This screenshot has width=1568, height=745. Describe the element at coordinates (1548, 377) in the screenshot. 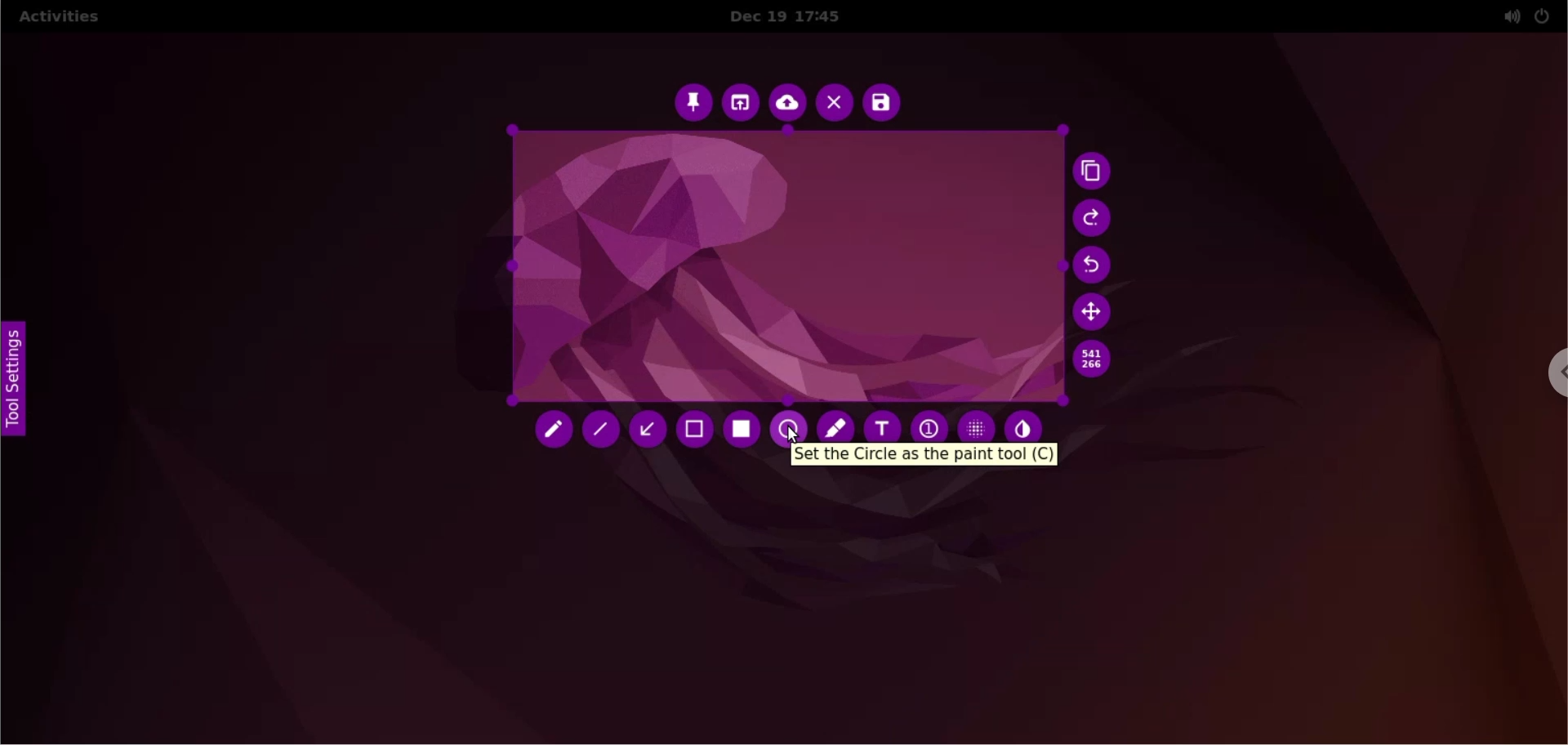

I see `chrome options` at that location.